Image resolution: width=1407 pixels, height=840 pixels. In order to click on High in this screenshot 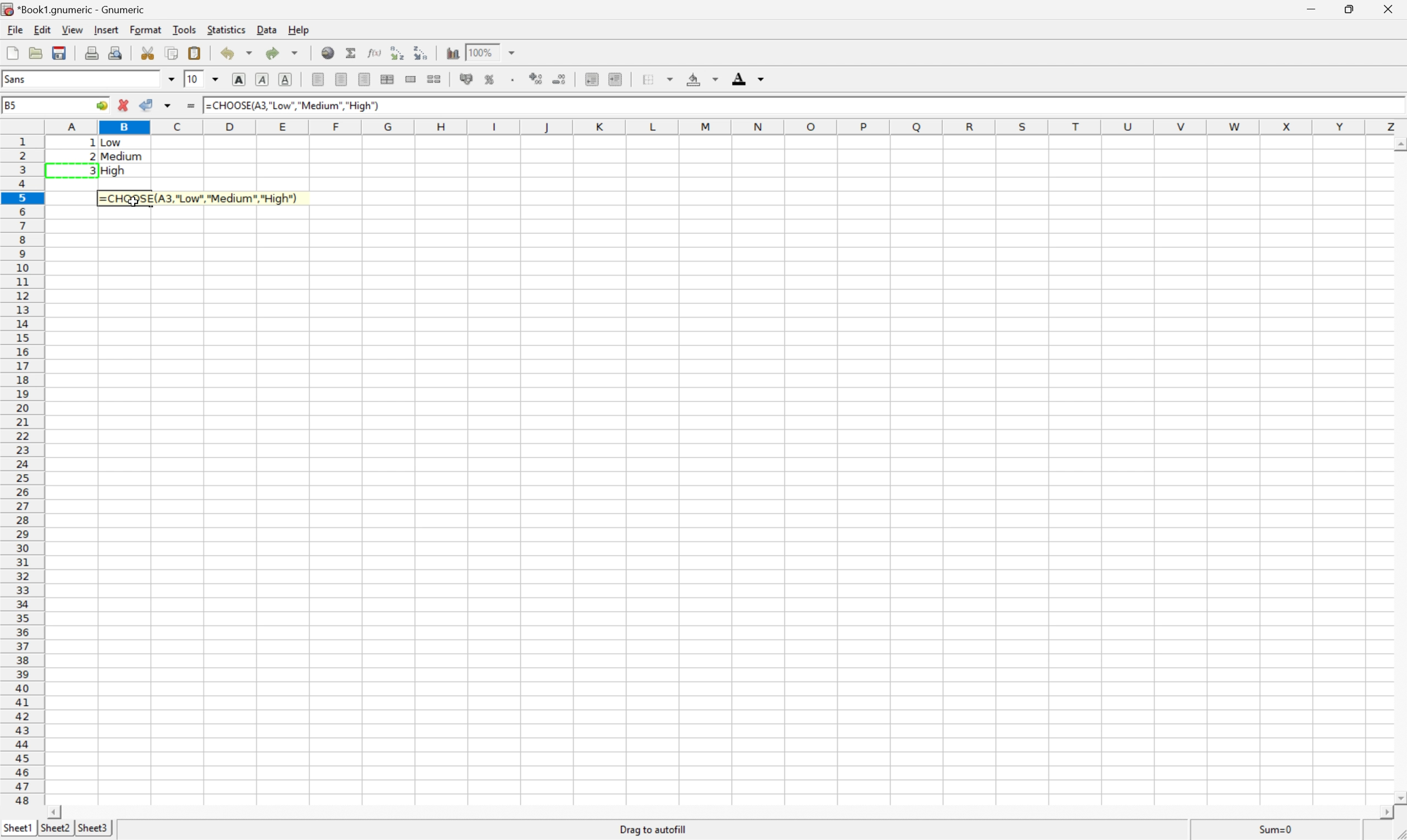, I will do `click(117, 170)`.